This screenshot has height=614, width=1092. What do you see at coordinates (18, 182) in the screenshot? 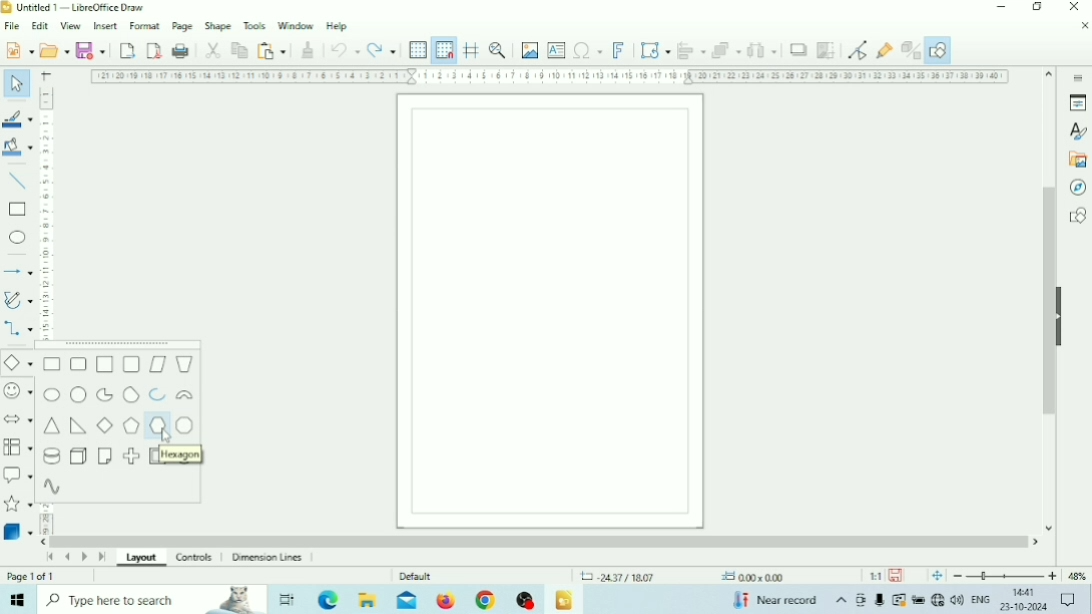
I see `Insert Line` at bounding box center [18, 182].